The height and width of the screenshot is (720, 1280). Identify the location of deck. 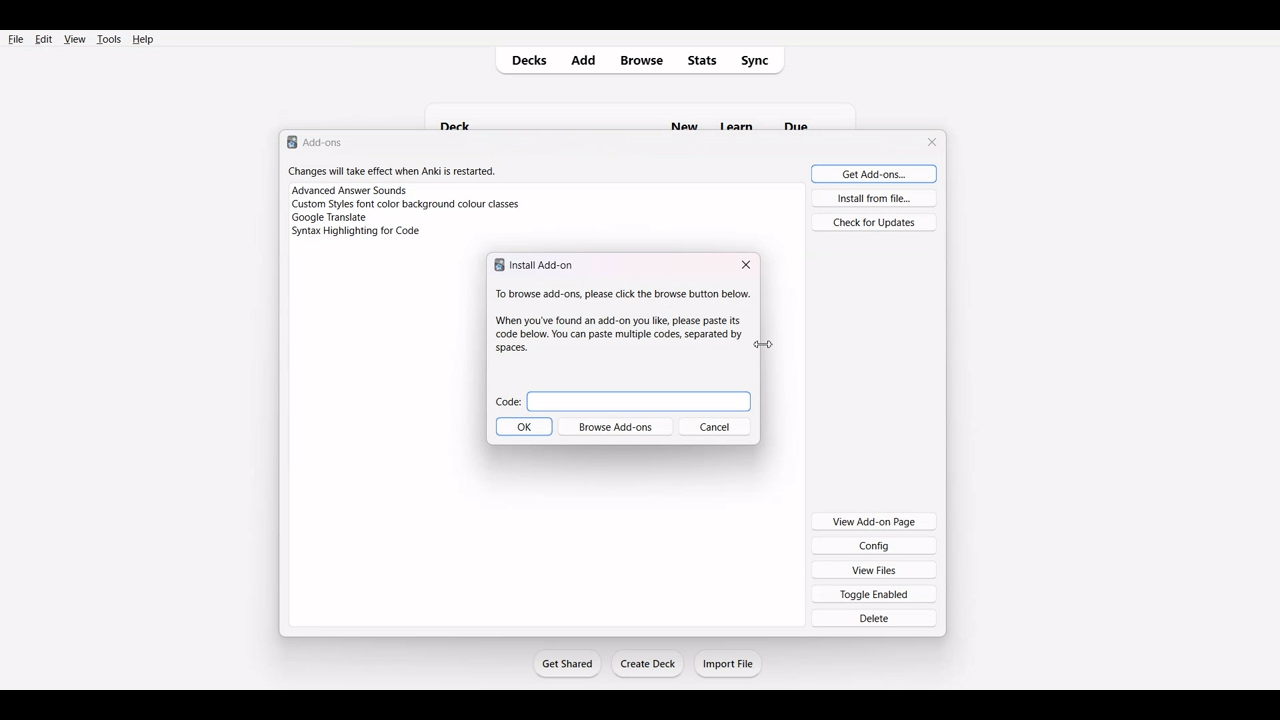
(464, 115).